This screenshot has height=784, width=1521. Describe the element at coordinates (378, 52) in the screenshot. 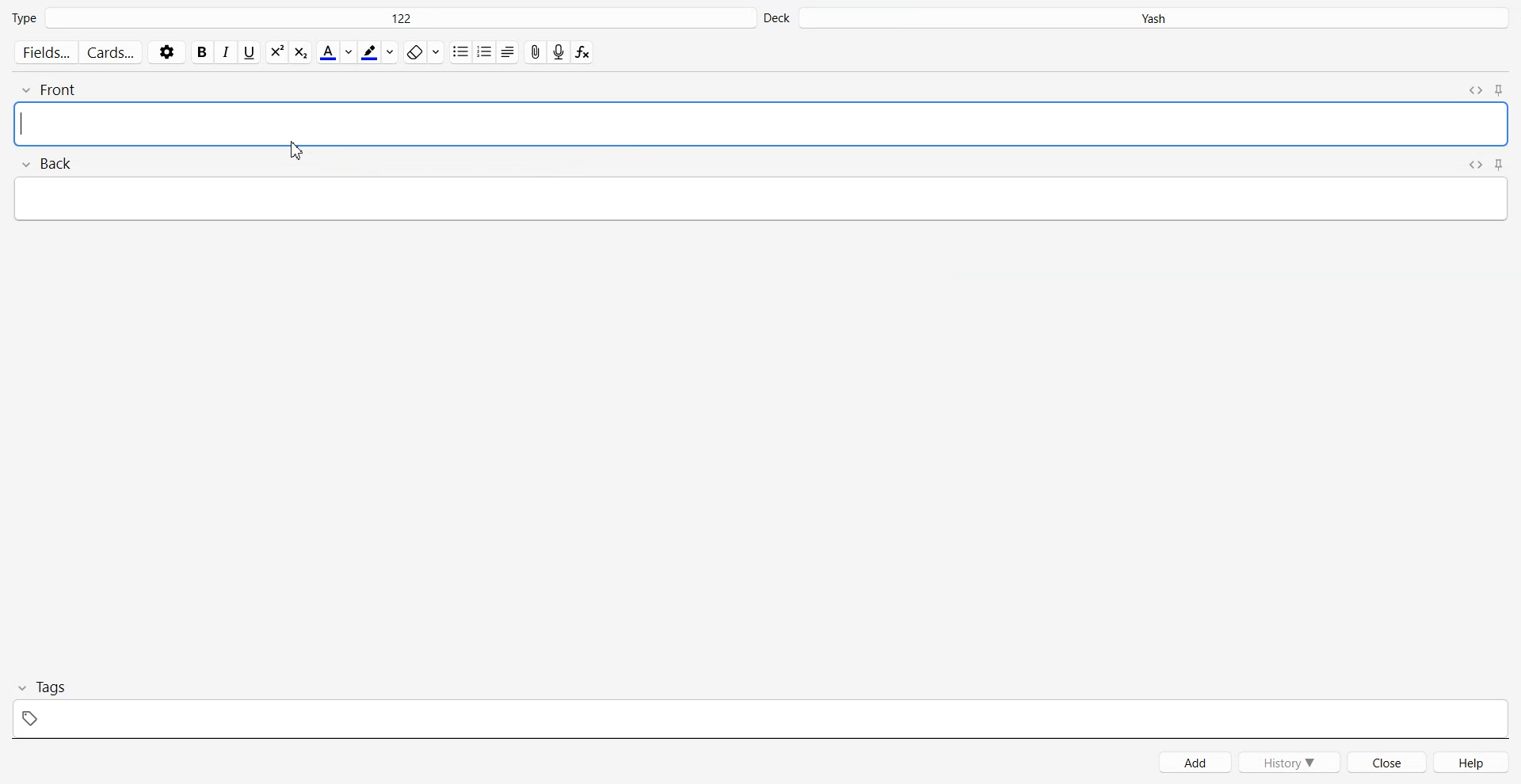

I see `Highlight text color` at that location.